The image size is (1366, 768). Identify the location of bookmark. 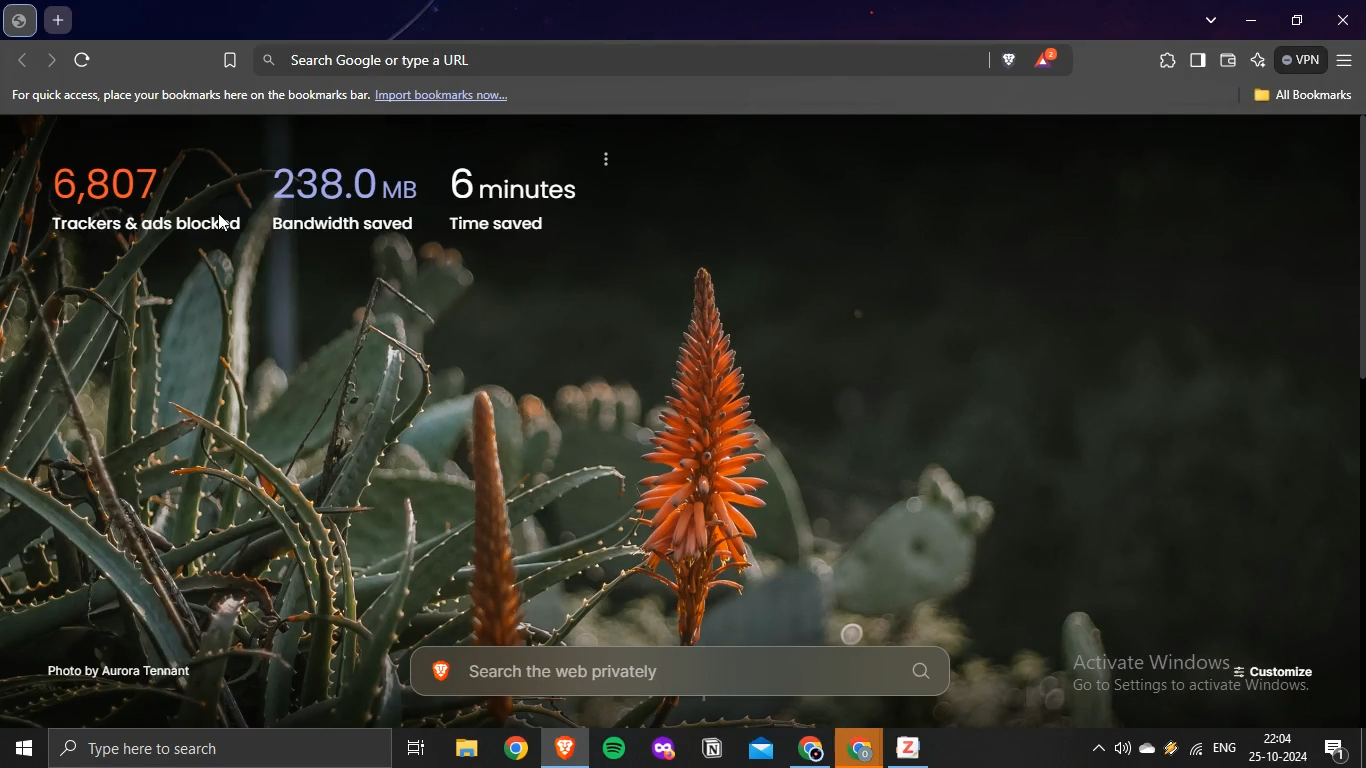
(232, 58).